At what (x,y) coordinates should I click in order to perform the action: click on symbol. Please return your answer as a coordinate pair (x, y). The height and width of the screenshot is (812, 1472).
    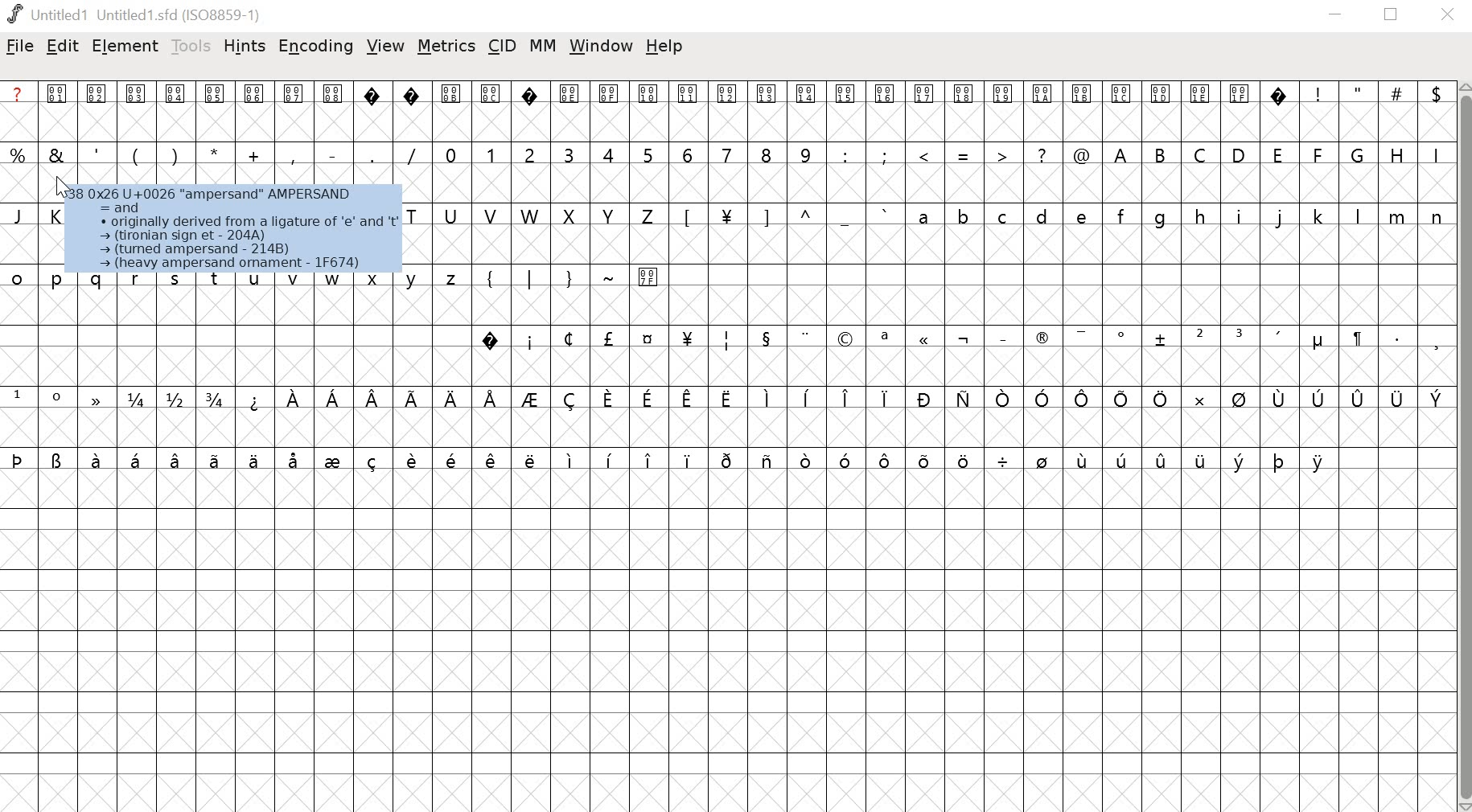
    Looking at the image, I should click on (19, 458).